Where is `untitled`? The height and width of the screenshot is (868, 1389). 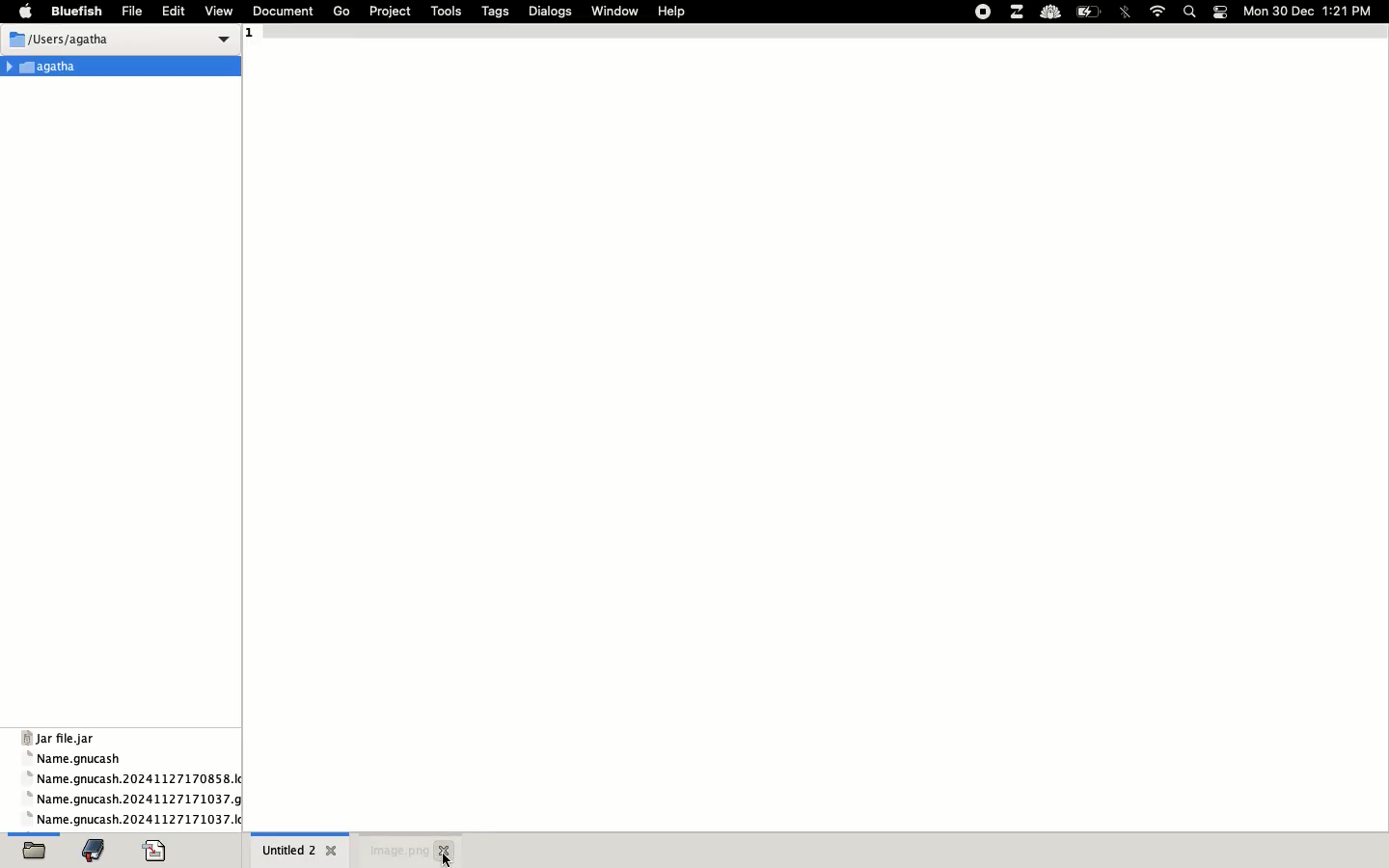
untitled is located at coordinates (288, 851).